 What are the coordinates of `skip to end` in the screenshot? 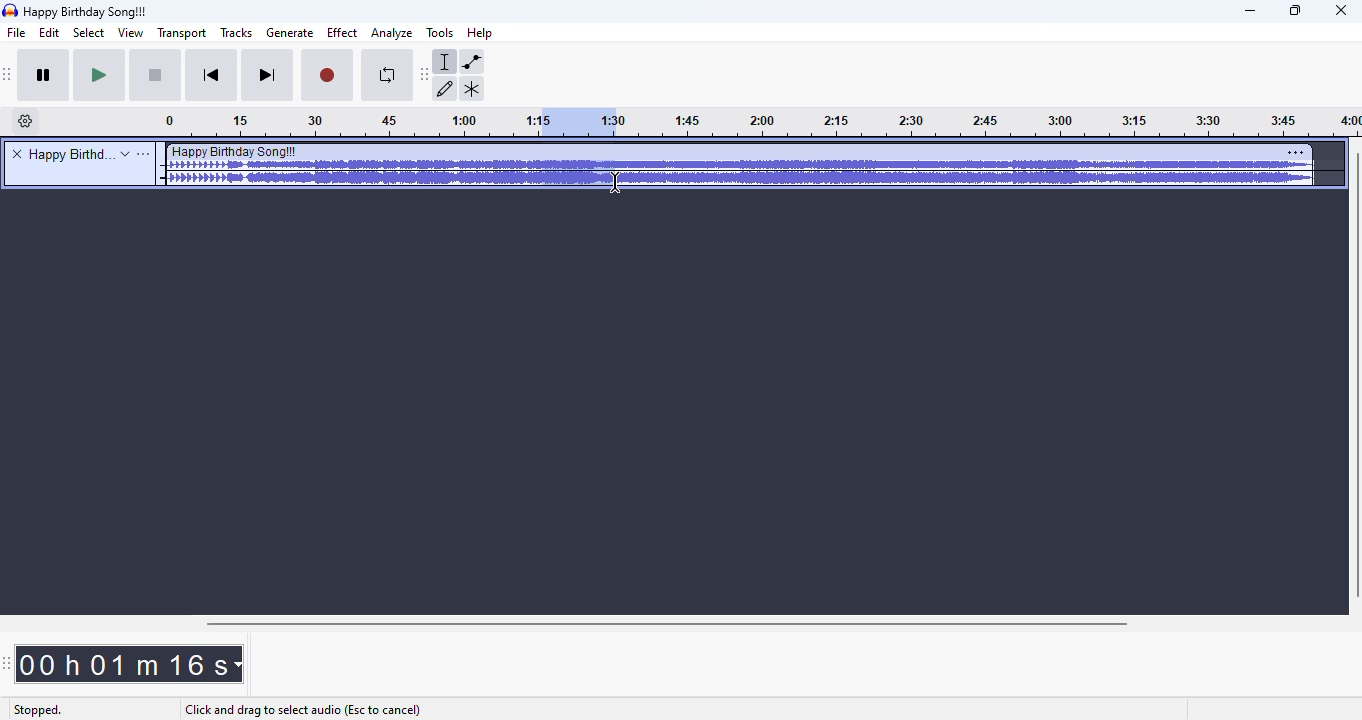 It's located at (268, 76).